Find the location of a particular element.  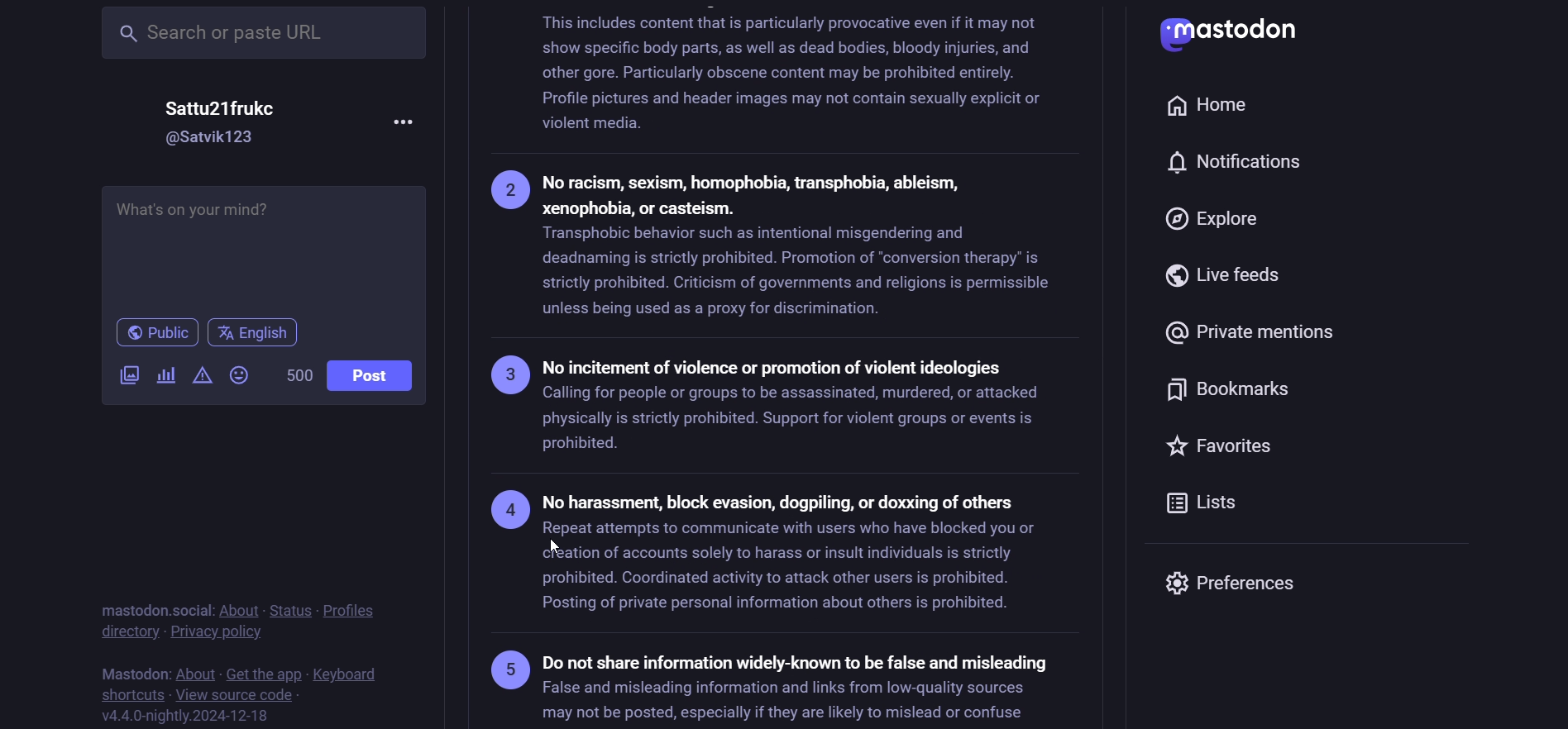

search is located at coordinates (265, 31).